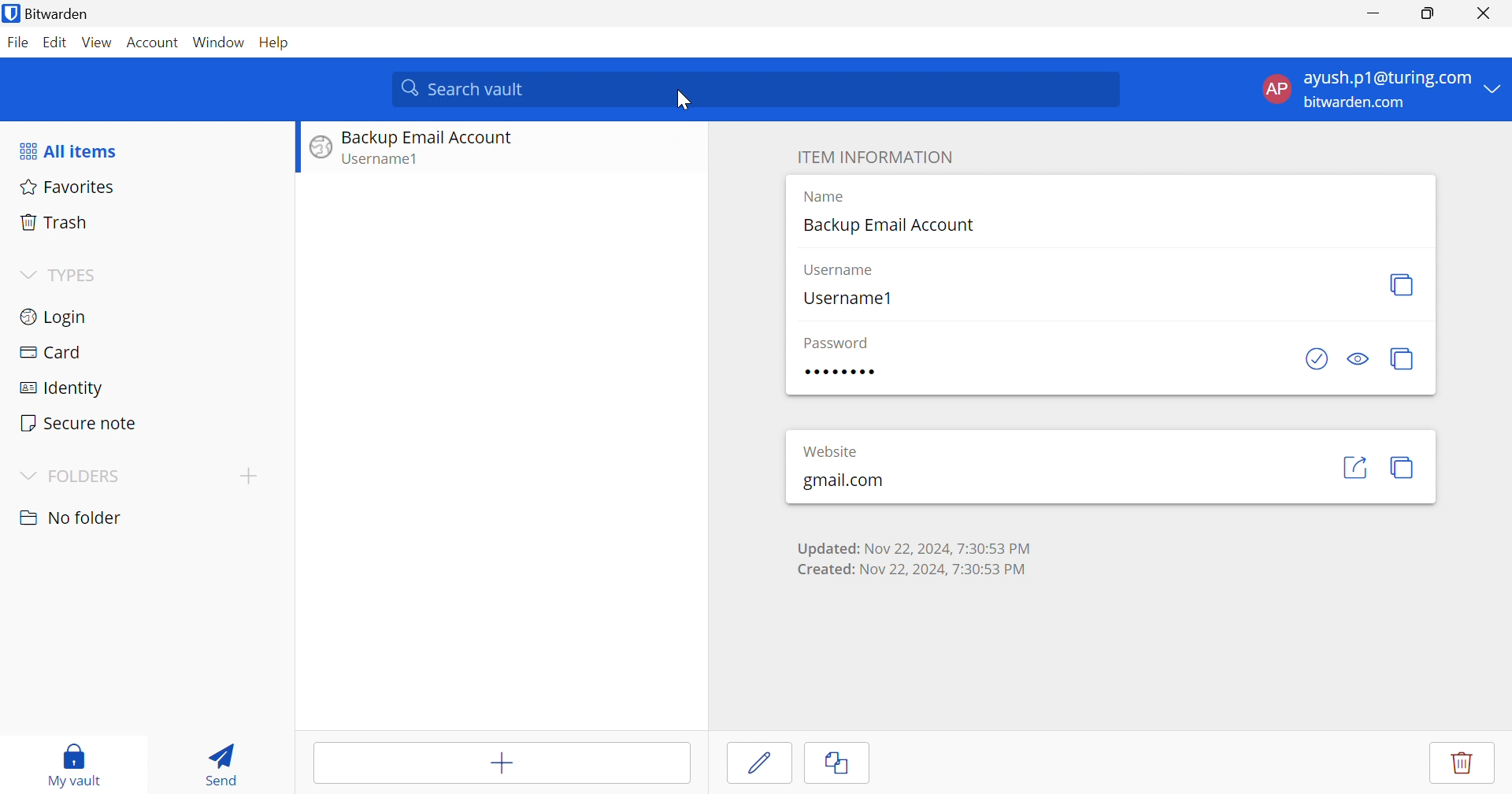 The width and height of the screenshot is (1512, 794). Describe the element at coordinates (378, 160) in the screenshot. I see `Username1` at that location.